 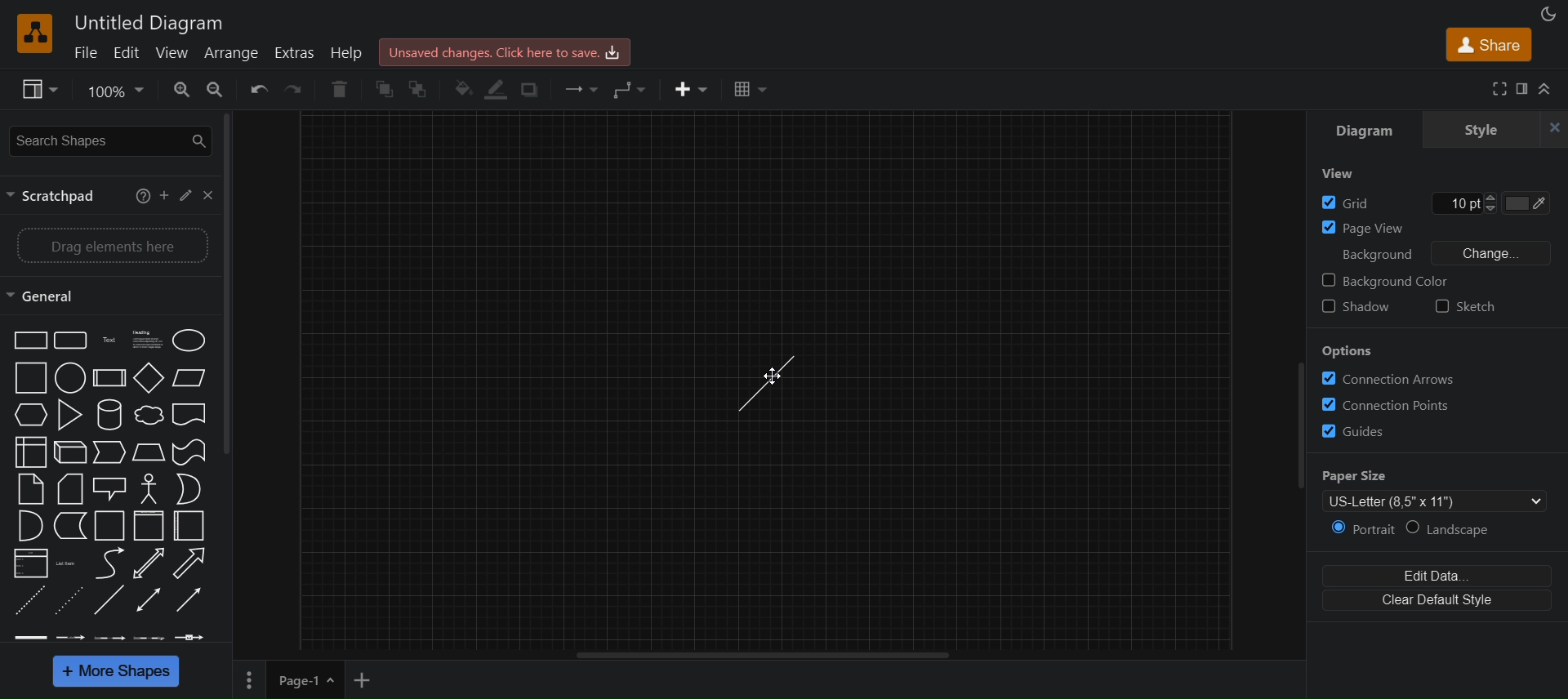 What do you see at coordinates (1421, 476) in the screenshot?
I see `paper size` at bounding box center [1421, 476].